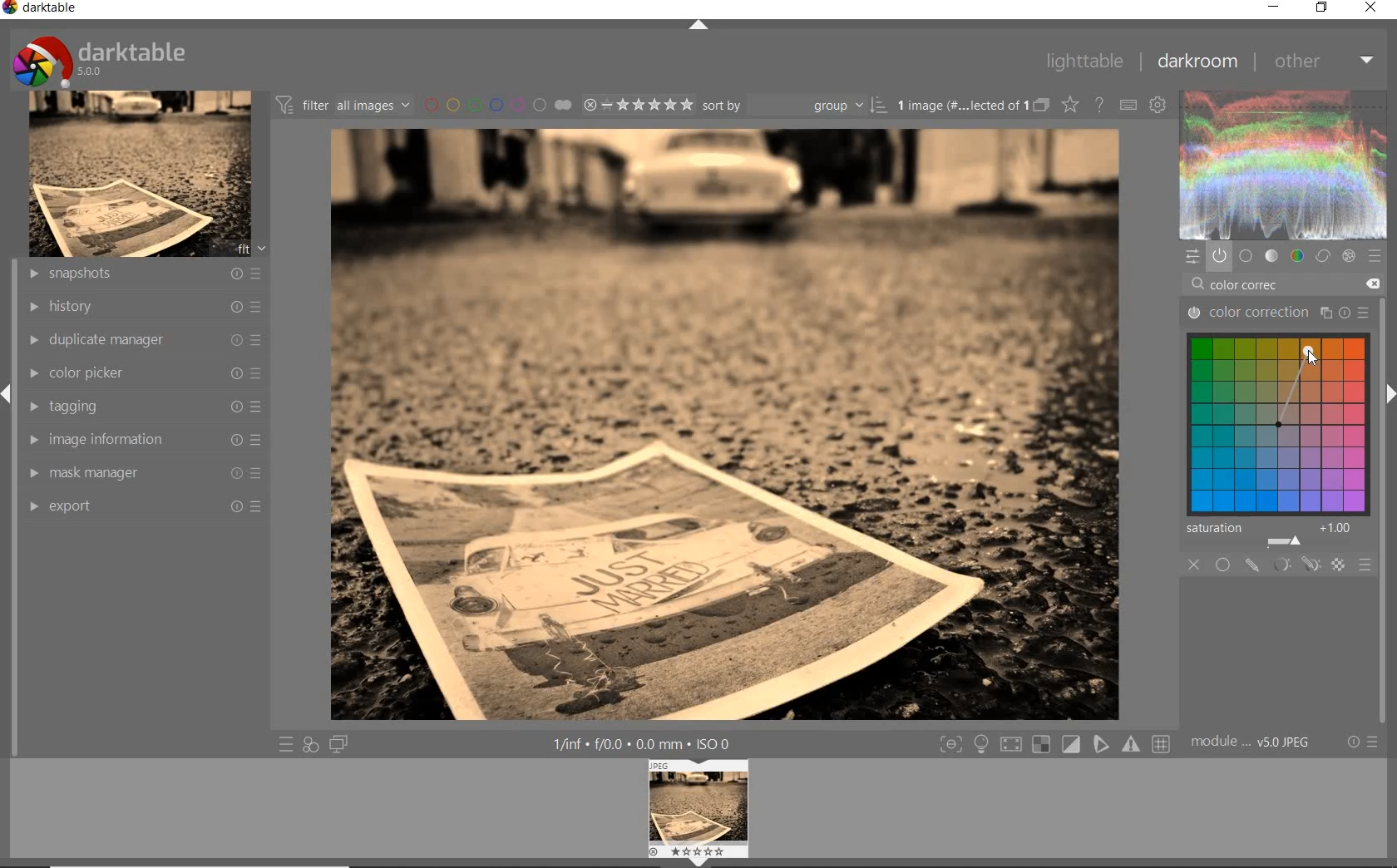 The image size is (1397, 868). What do you see at coordinates (43, 8) in the screenshot?
I see `darktable` at bounding box center [43, 8].